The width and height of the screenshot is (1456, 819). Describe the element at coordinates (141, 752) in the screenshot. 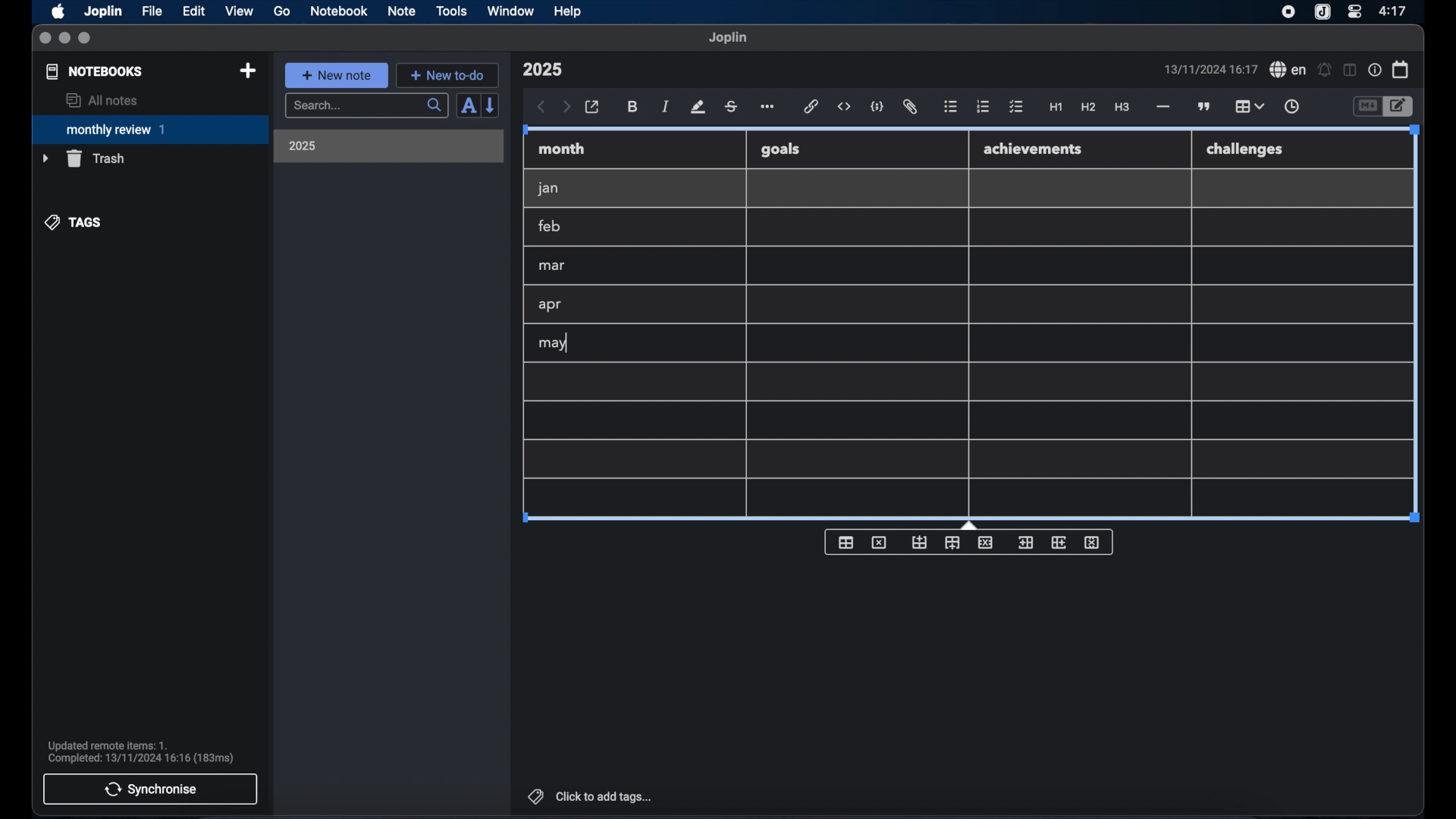

I see `sync notification` at that location.